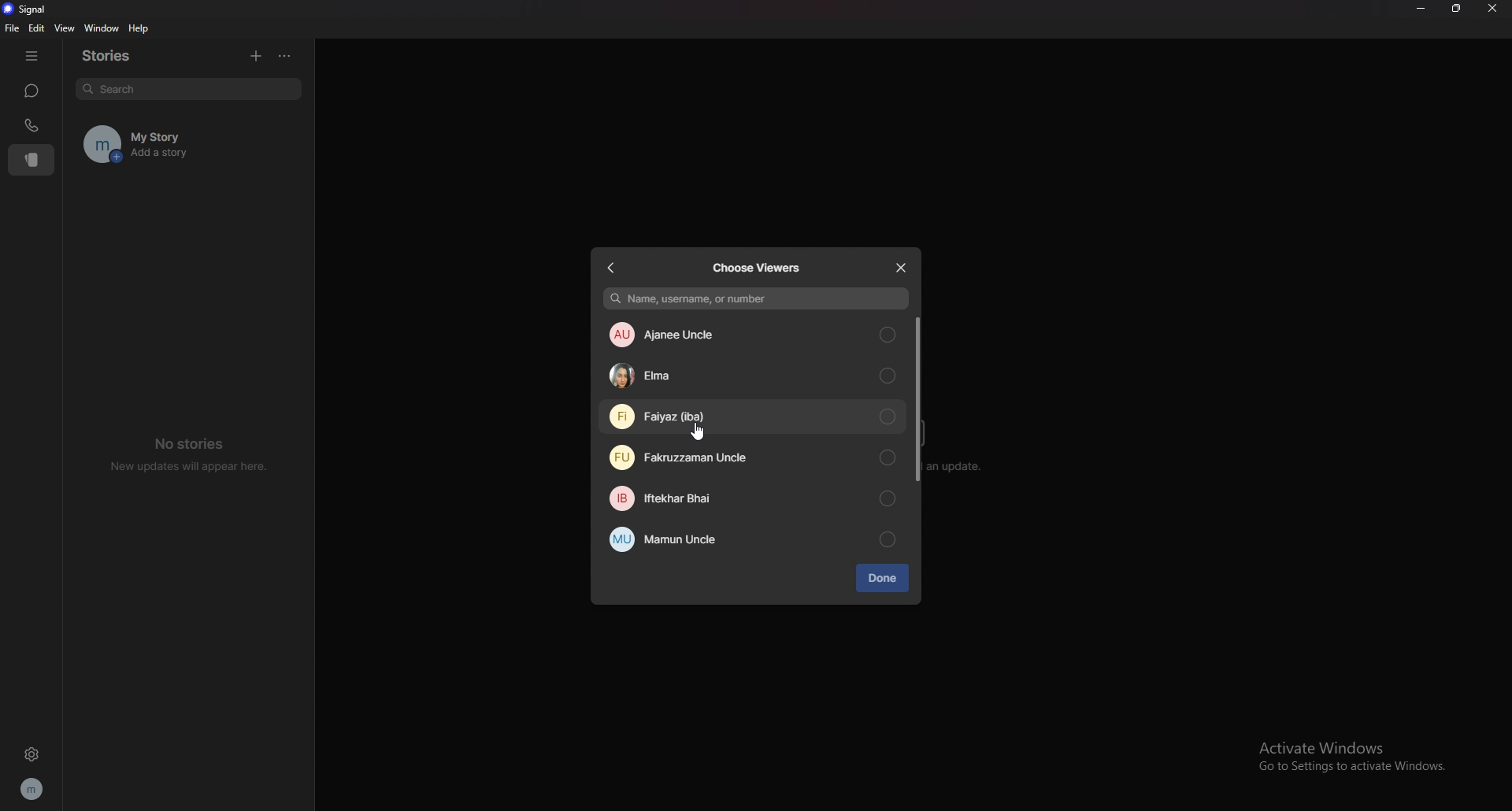 The image size is (1512, 811). What do you see at coordinates (28, 9) in the screenshot?
I see `signal` at bounding box center [28, 9].